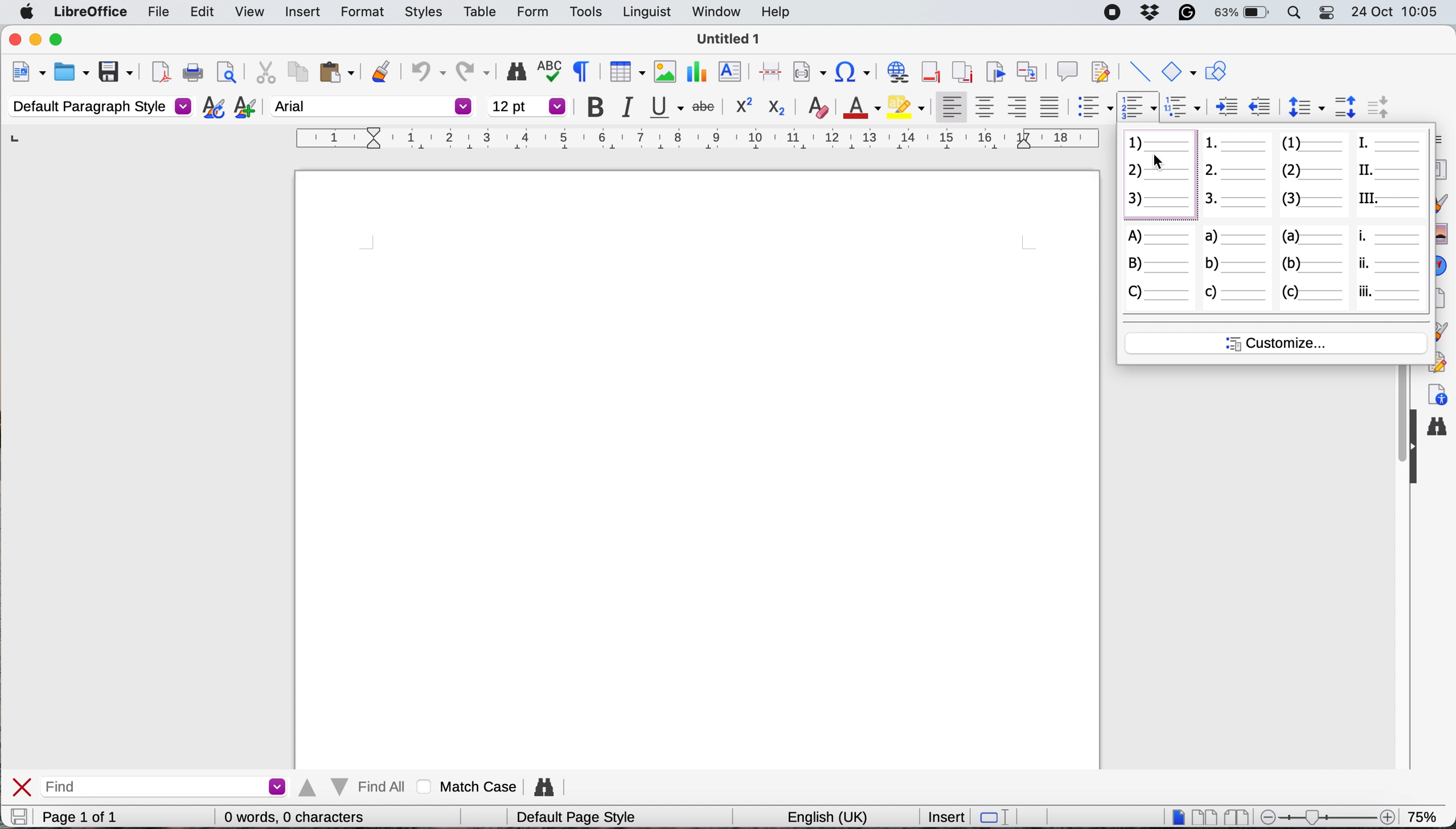 The image size is (1456, 829). Describe the element at coordinates (515, 72) in the screenshot. I see `find and replace` at that location.